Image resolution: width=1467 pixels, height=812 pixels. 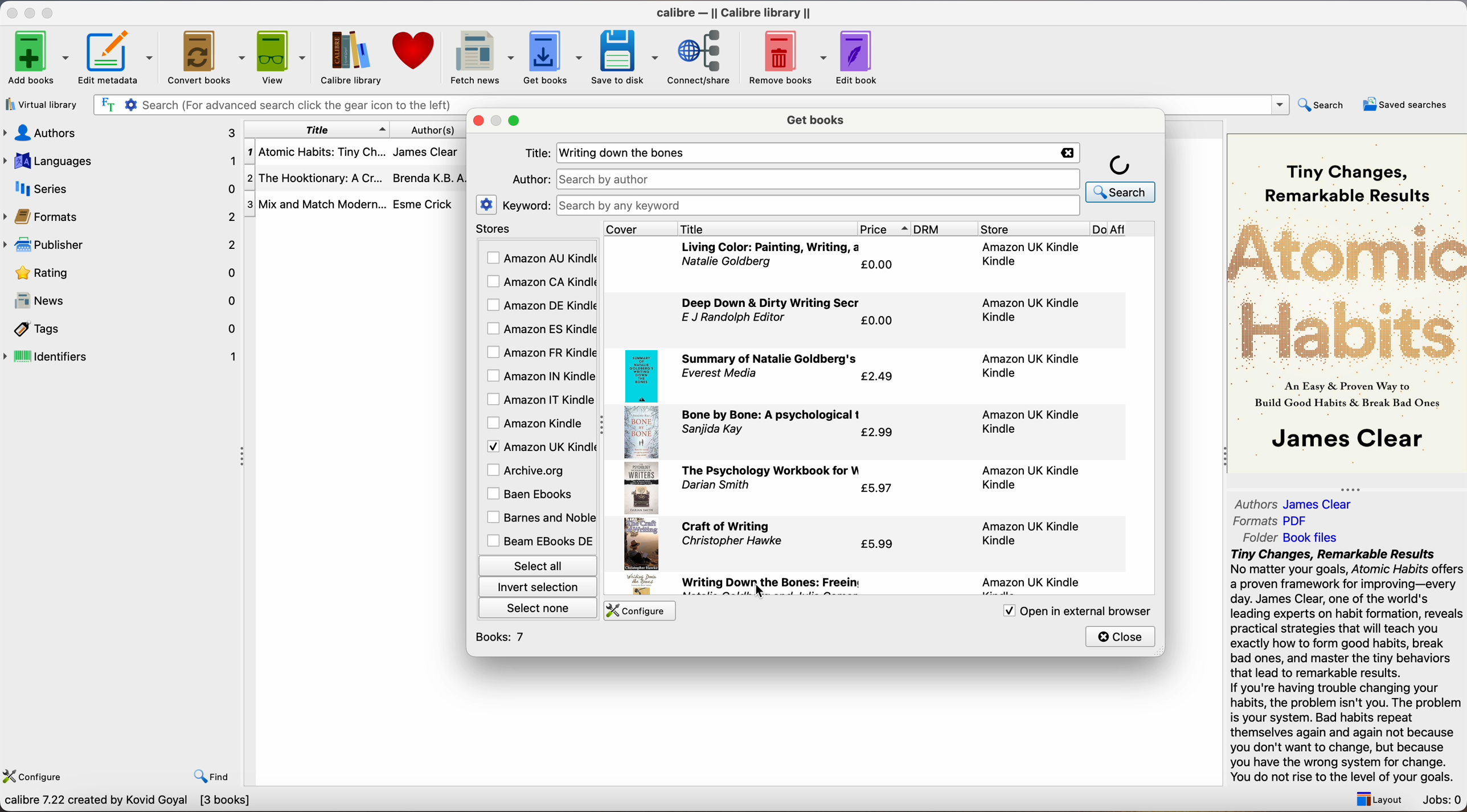 What do you see at coordinates (346, 58) in the screenshot?
I see `calibre library` at bounding box center [346, 58].